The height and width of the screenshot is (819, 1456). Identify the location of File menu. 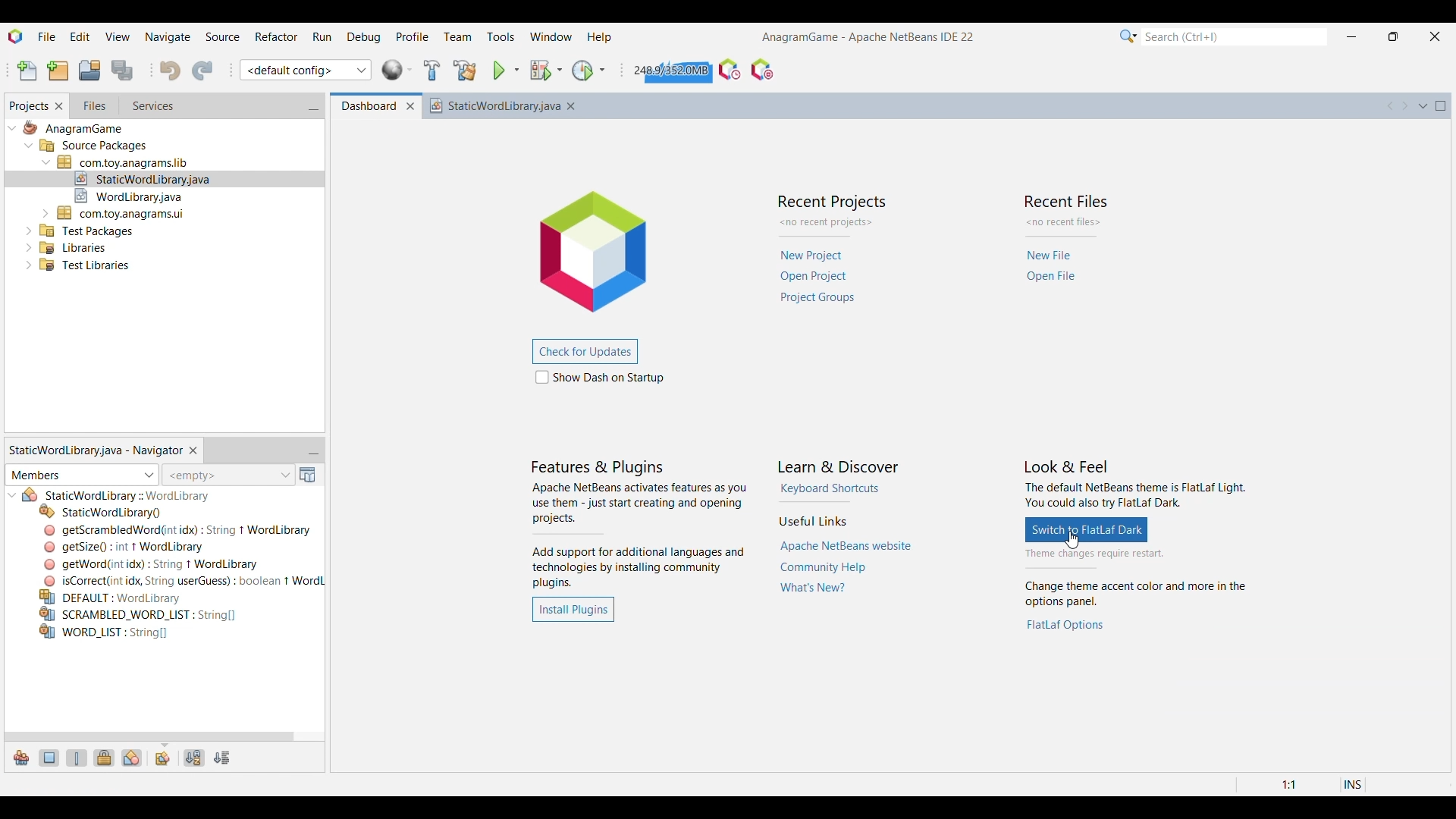
(47, 36).